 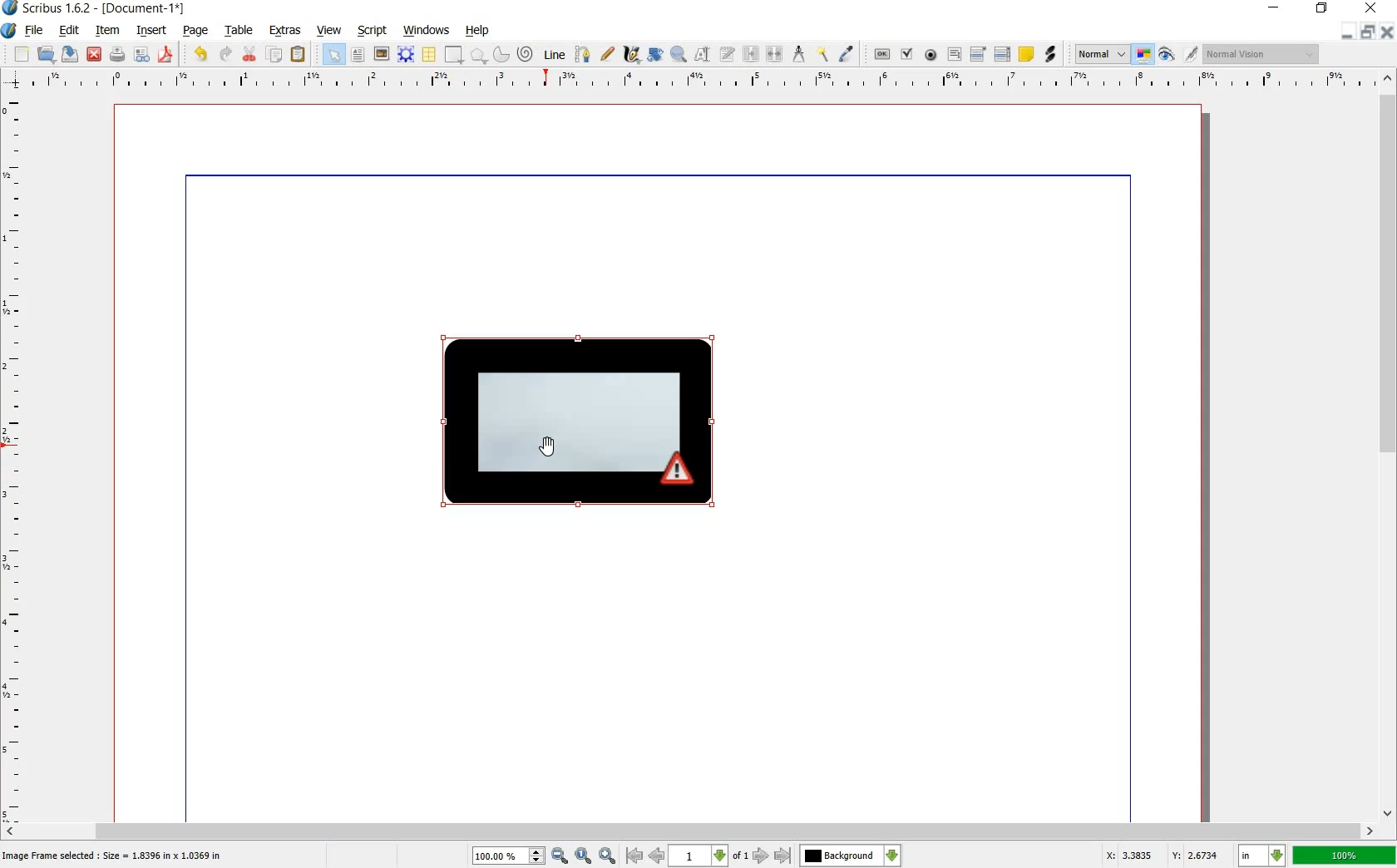 I want to click on preflight verifier, so click(x=141, y=55).